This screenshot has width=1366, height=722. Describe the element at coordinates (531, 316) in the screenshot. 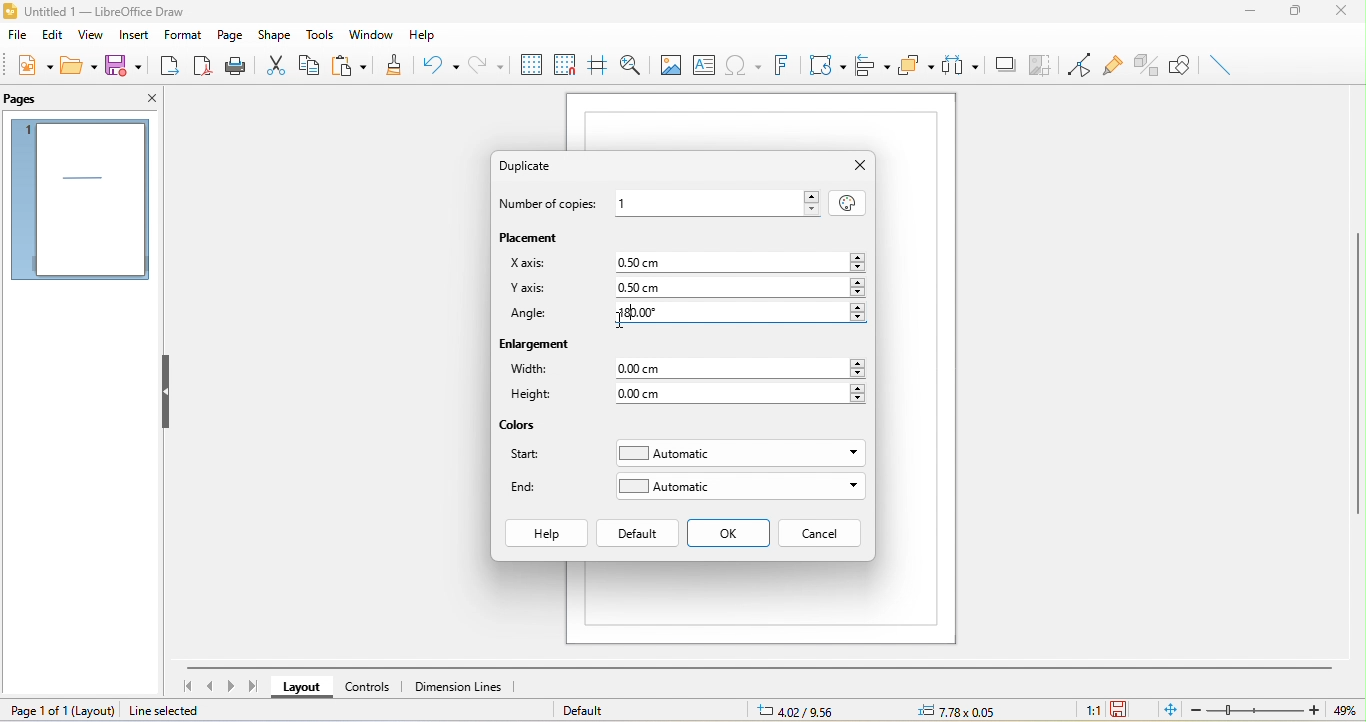

I see `angle` at that location.